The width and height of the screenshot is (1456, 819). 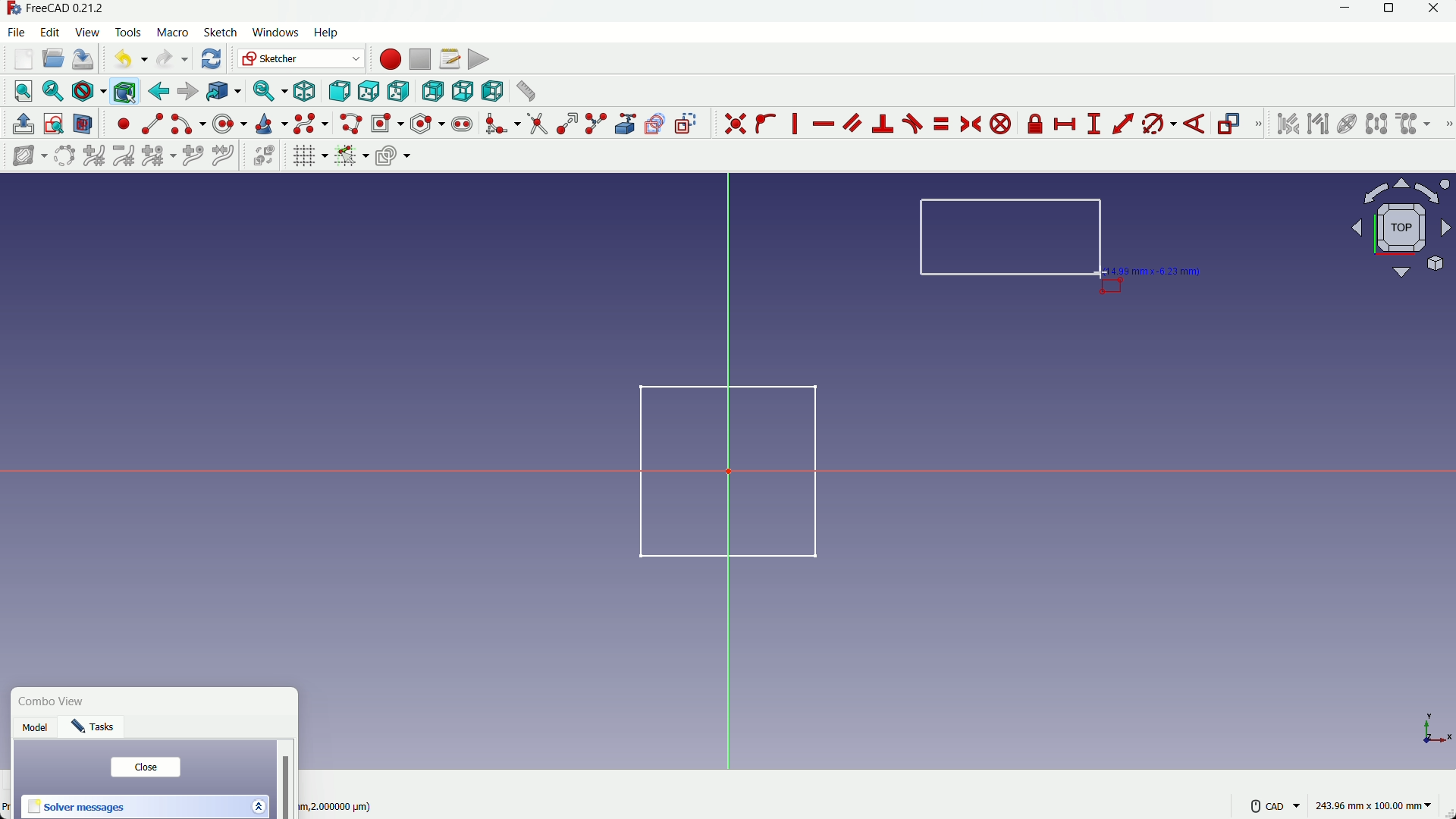 What do you see at coordinates (1345, 124) in the screenshot?
I see `show/hide internal geometry` at bounding box center [1345, 124].